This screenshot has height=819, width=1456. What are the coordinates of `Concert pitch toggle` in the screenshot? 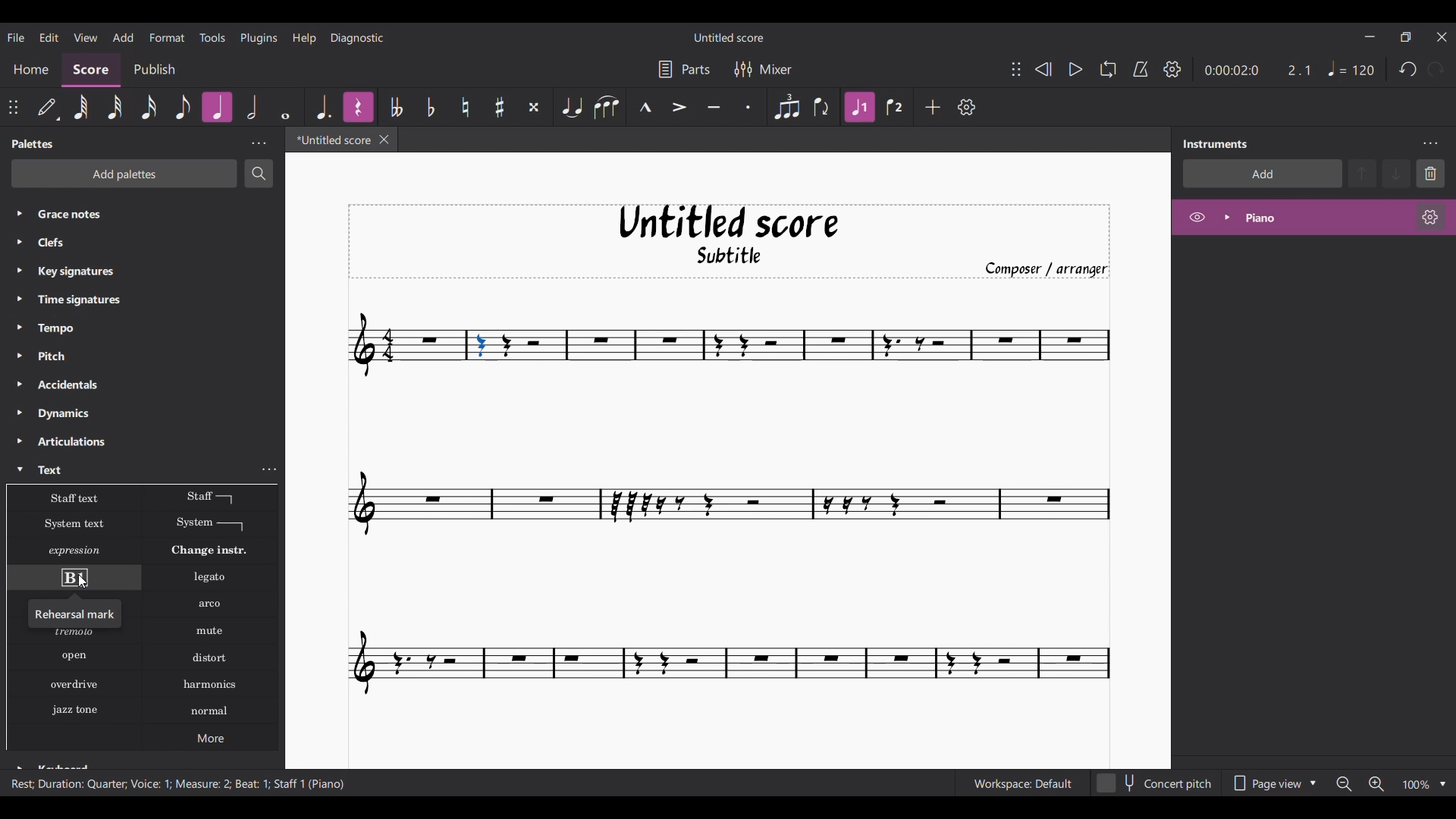 It's located at (1155, 783).